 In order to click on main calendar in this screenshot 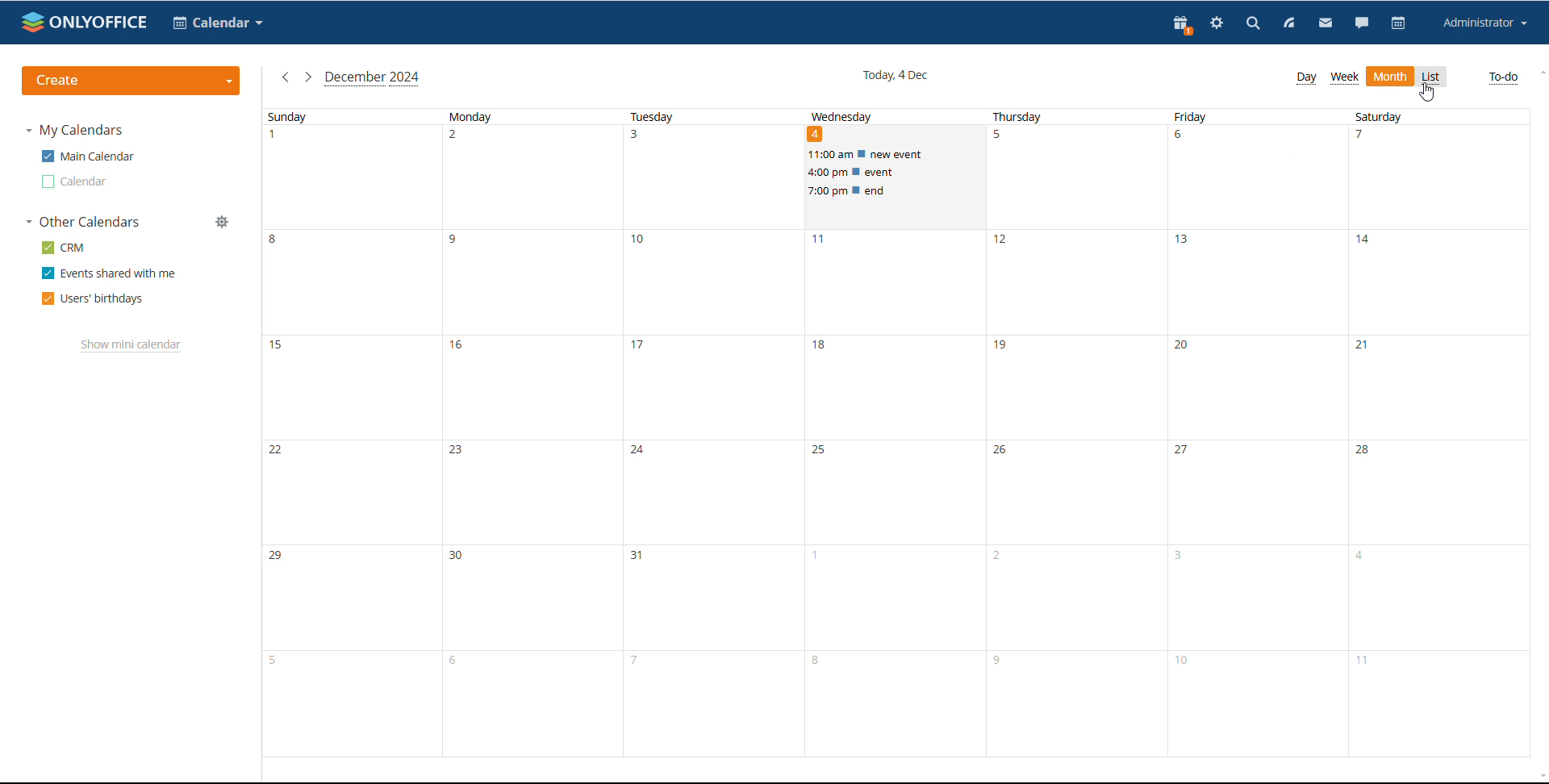, I will do `click(87, 156)`.